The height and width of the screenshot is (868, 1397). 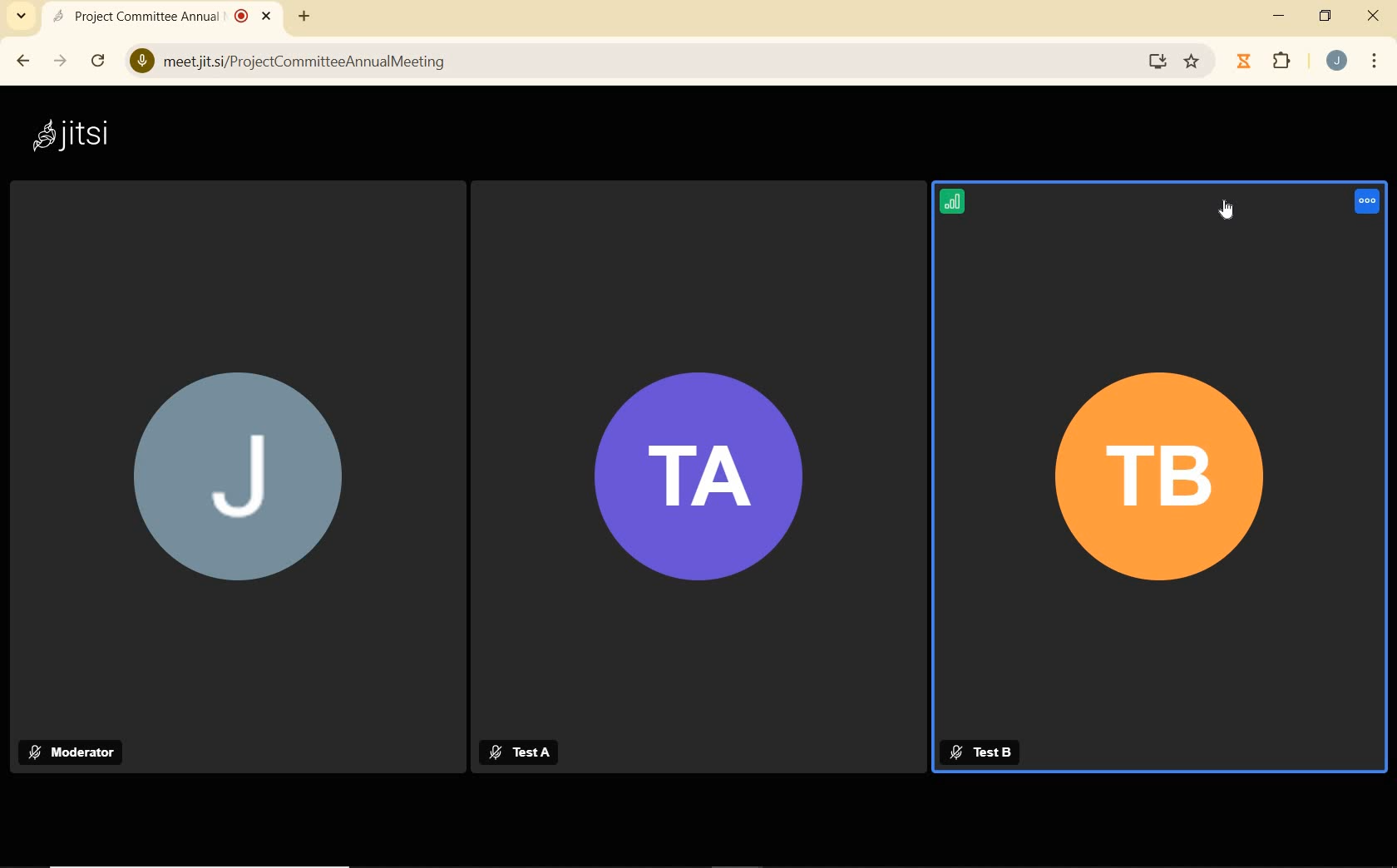 I want to click on Jibble, so click(x=1246, y=63).